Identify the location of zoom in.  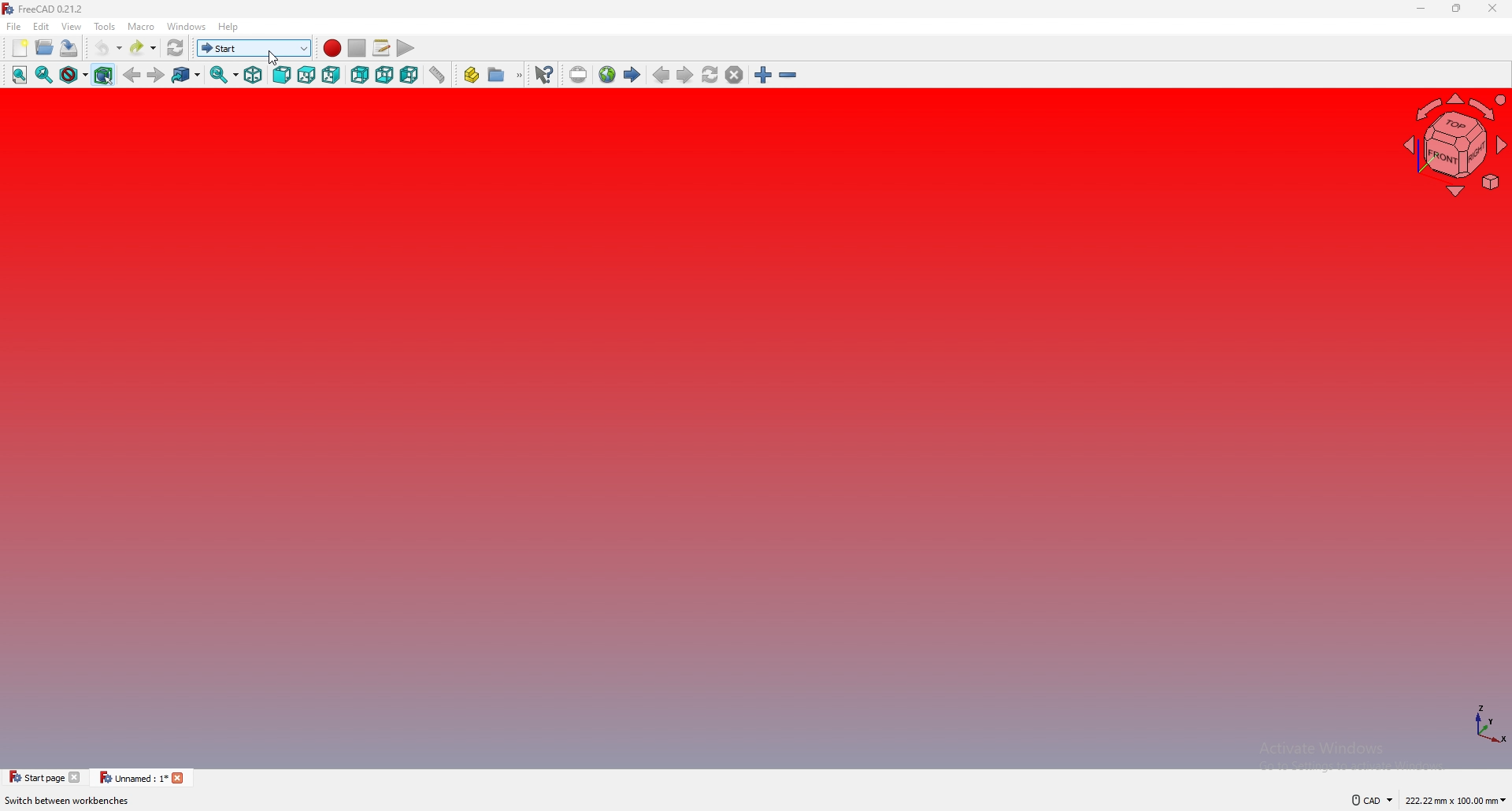
(765, 75).